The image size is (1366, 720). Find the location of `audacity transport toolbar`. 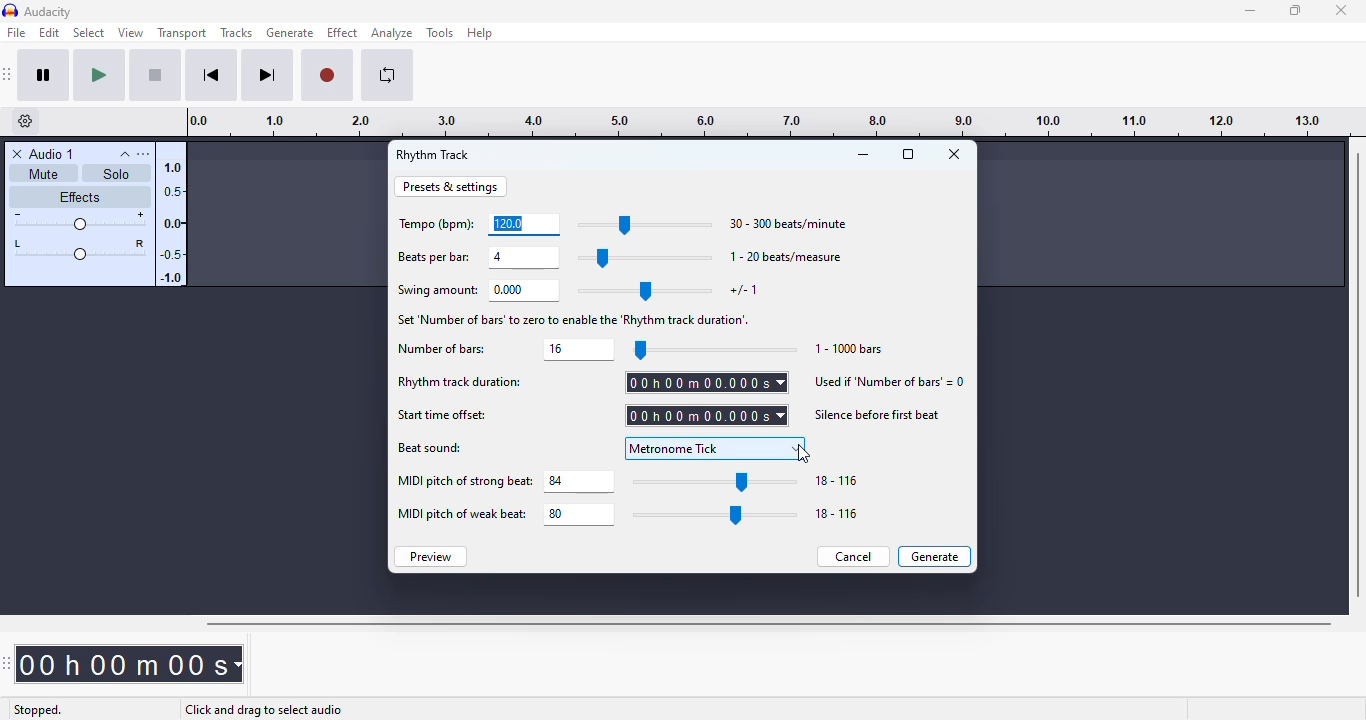

audacity transport toolbar is located at coordinates (8, 75).